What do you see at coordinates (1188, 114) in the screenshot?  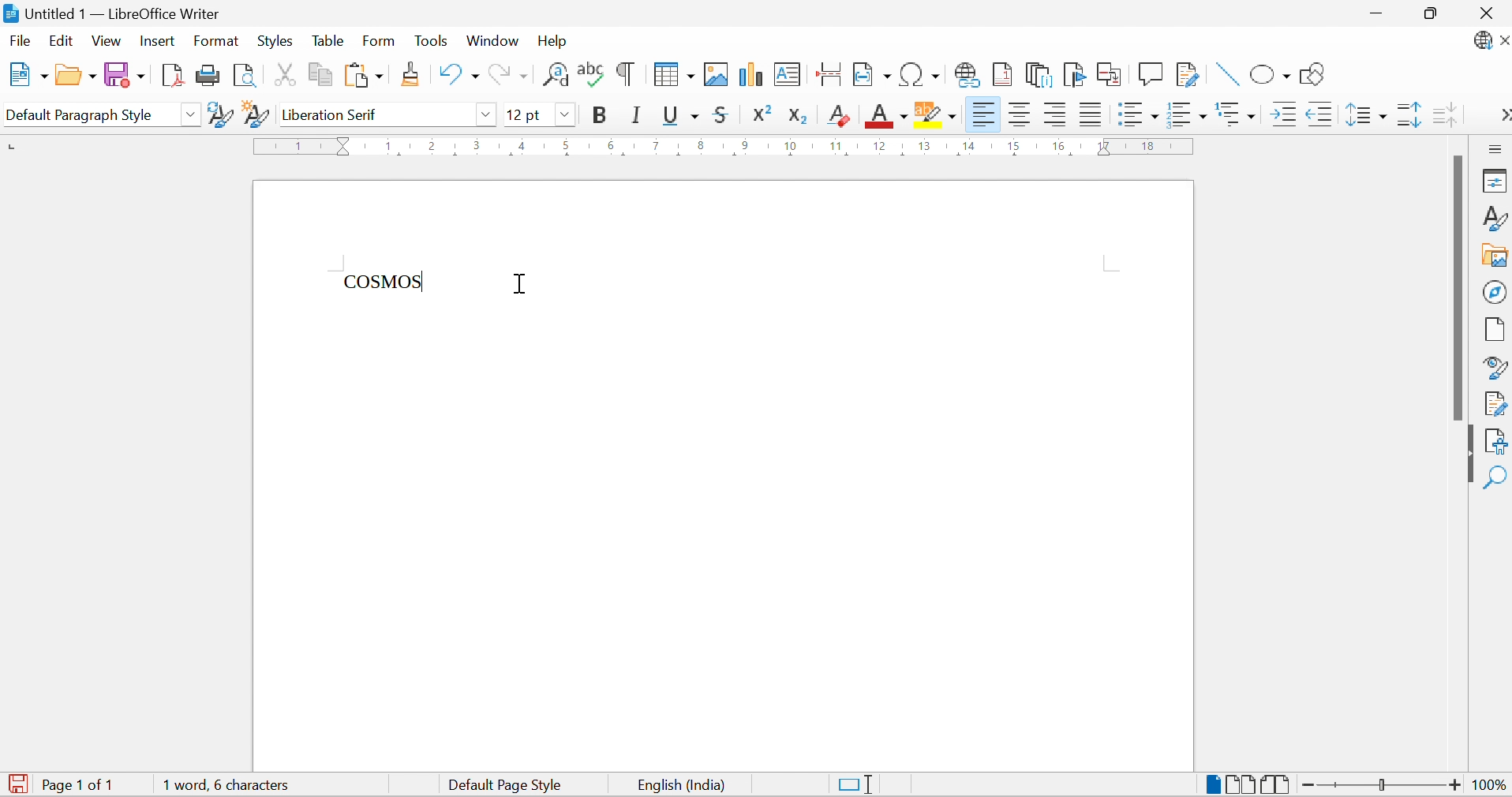 I see `Toggle Ordered List` at bounding box center [1188, 114].